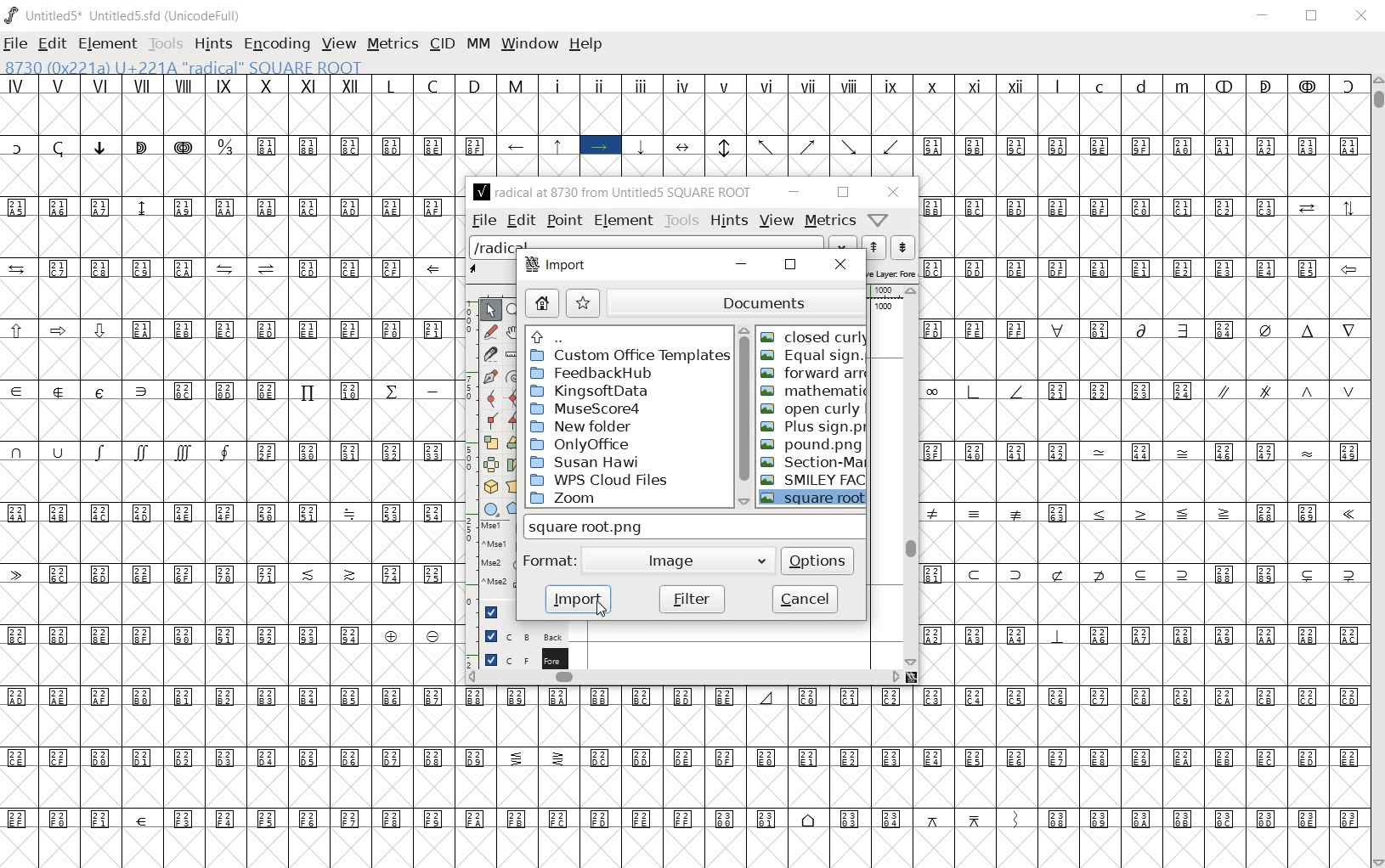 This screenshot has height=868, width=1385. Describe the element at coordinates (813, 355) in the screenshot. I see `Equal sign` at that location.